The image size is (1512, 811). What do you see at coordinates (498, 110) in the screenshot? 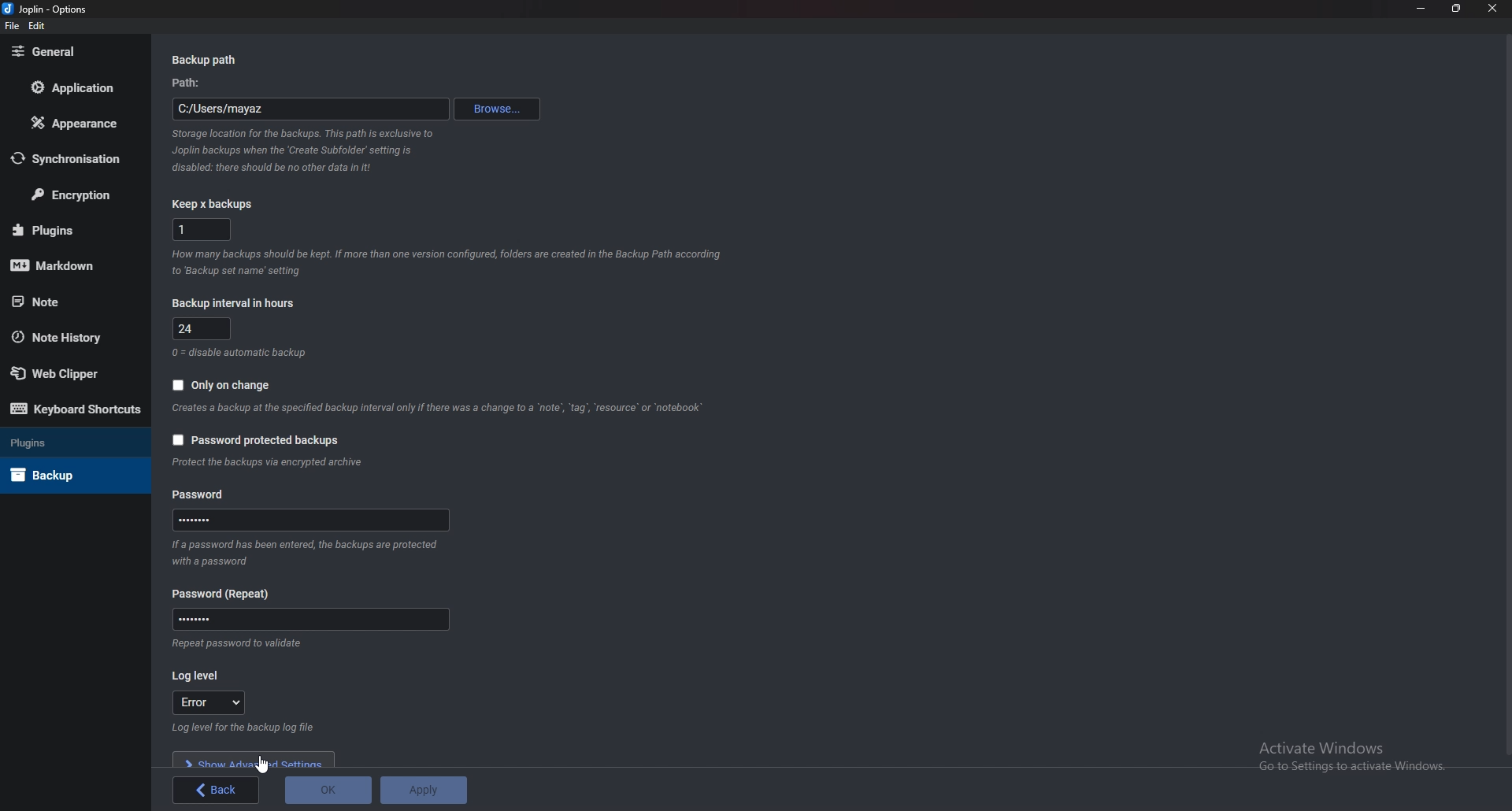
I see `browse` at bounding box center [498, 110].